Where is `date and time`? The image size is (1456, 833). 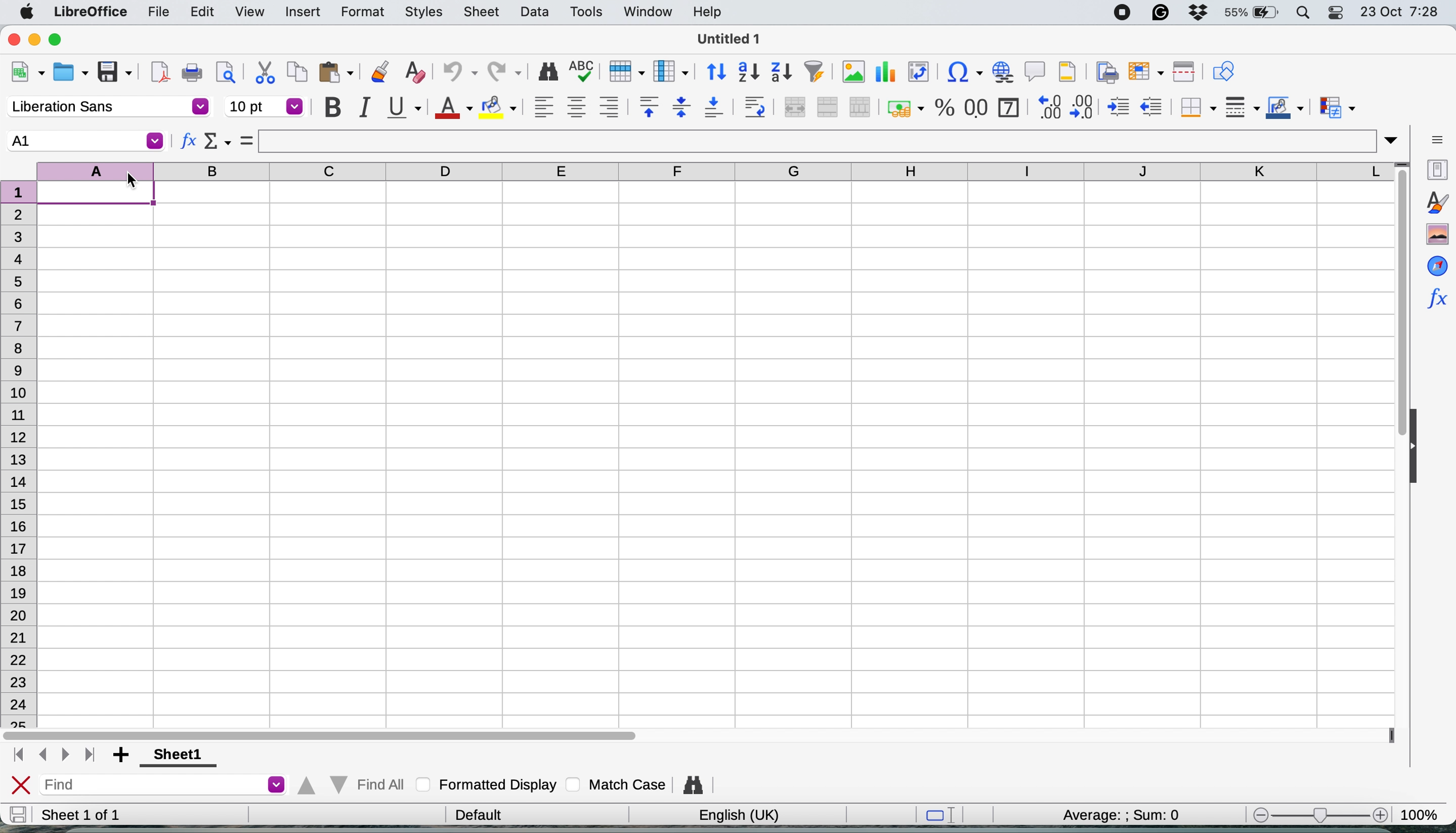
date and time is located at coordinates (1405, 11).